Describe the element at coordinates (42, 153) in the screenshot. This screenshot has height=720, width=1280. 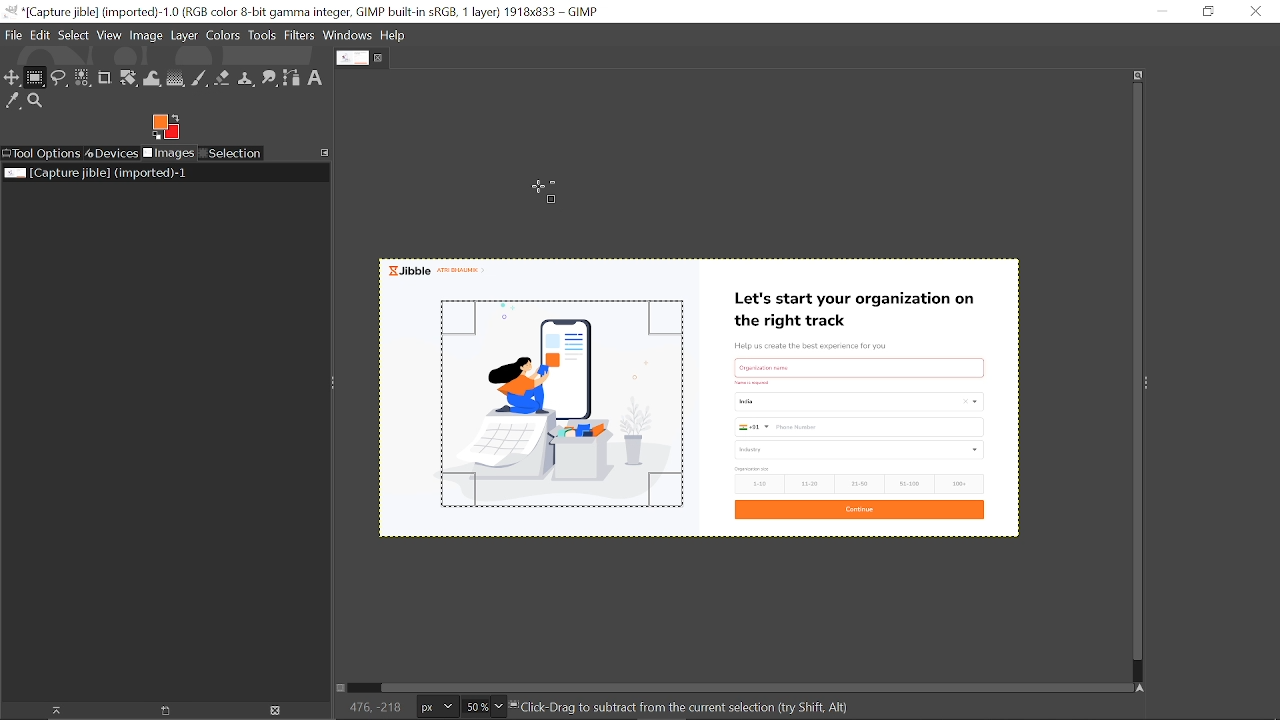
I see `Tool options` at that location.